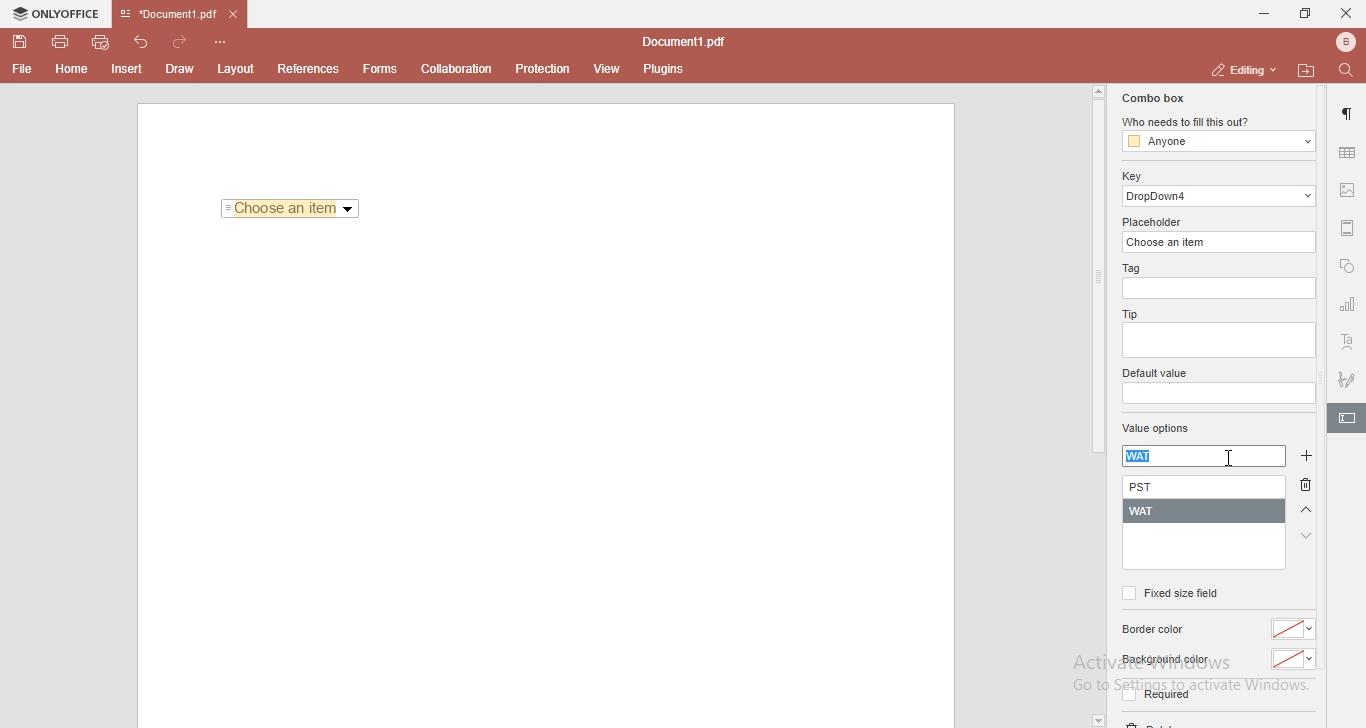  I want to click on table, so click(1347, 152).